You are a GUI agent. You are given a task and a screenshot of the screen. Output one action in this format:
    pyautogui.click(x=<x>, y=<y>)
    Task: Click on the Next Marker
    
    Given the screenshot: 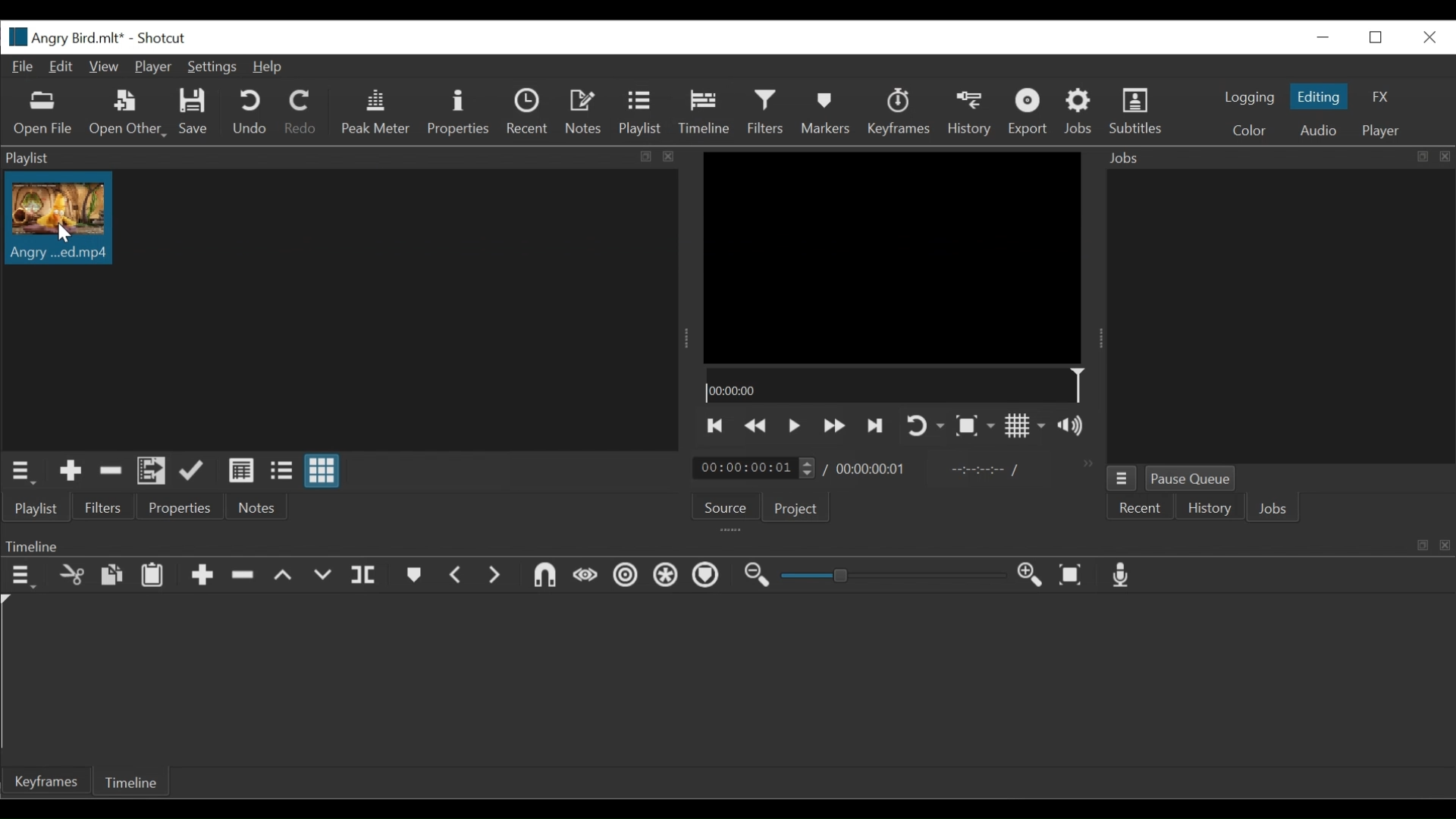 What is the action you would take?
    pyautogui.click(x=498, y=576)
    